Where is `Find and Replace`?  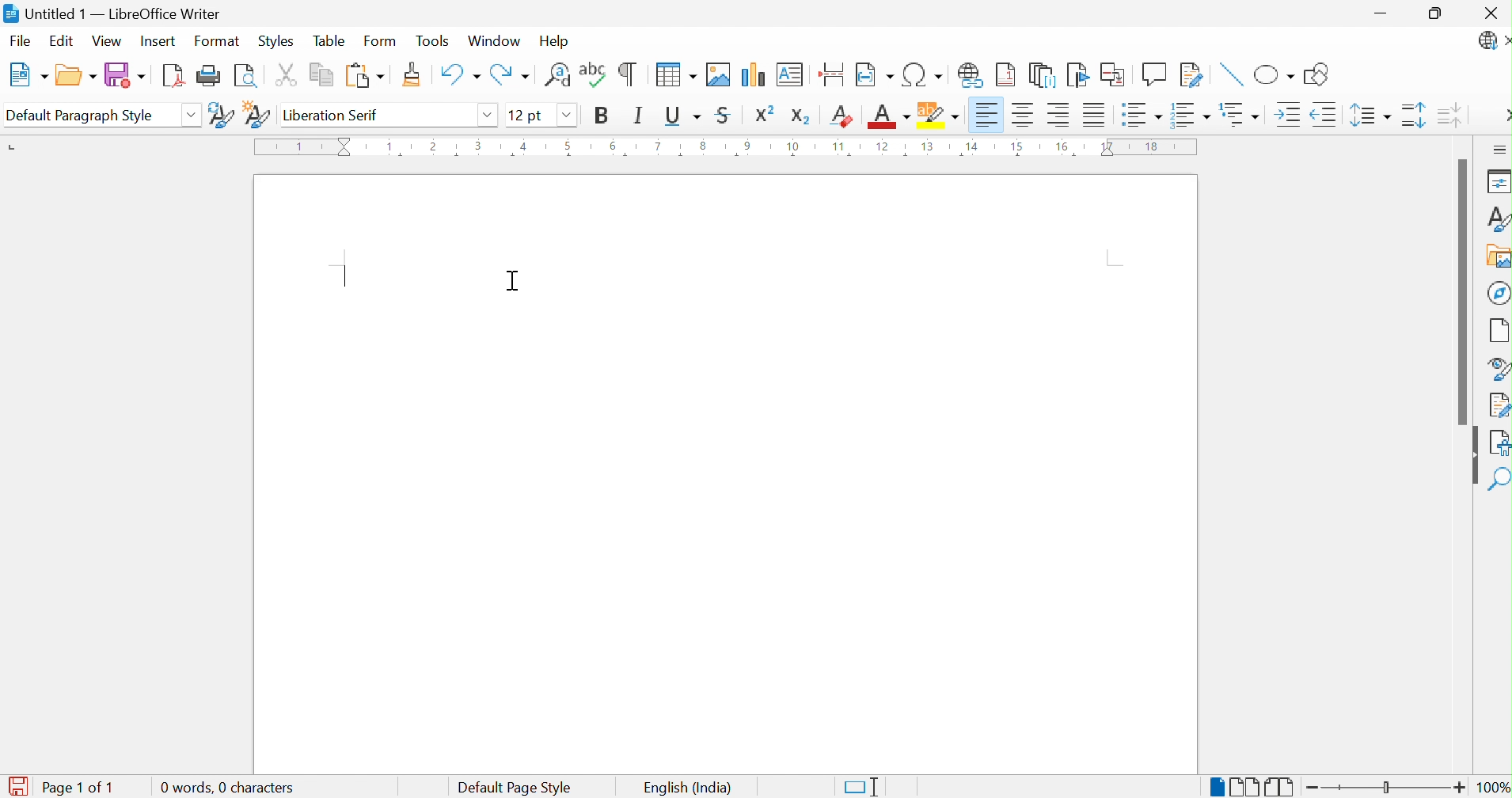
Find and Replace is located at coordinates (557, 75).